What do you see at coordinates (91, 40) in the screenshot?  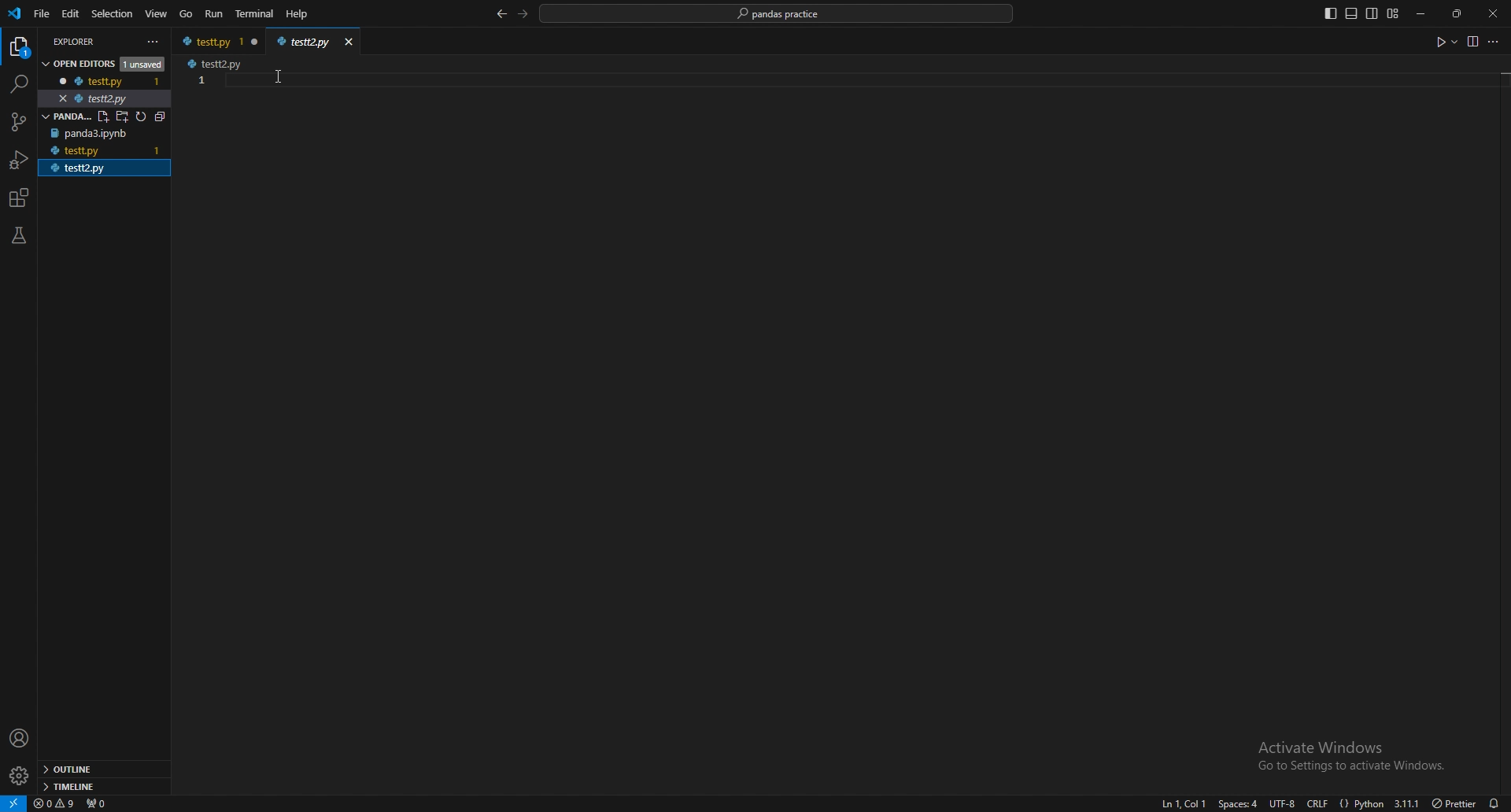 I see `explorer` at bounding box center [91, 40].